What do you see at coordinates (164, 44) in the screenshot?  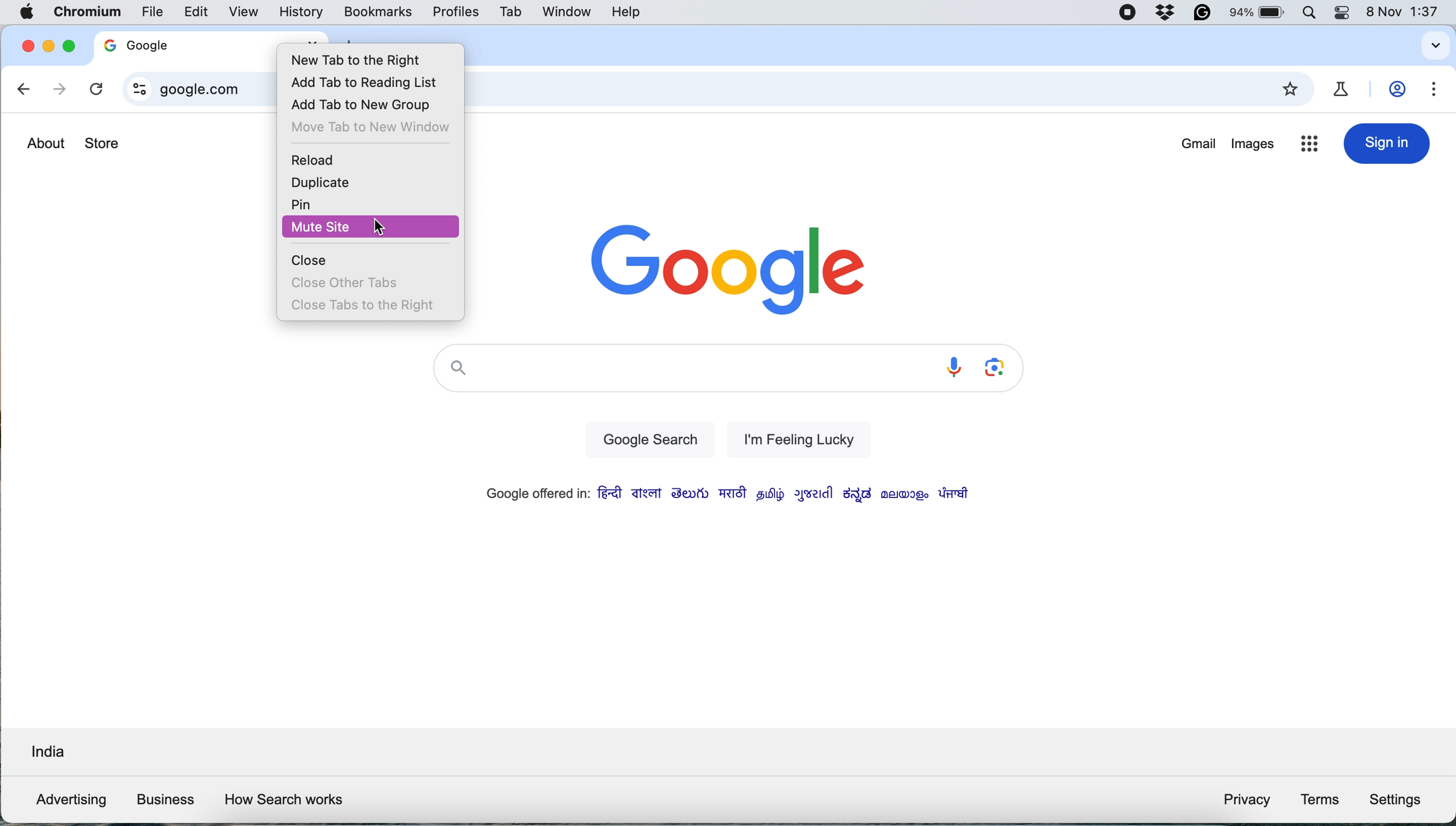 I see `google` at bounding box center [164, 44].